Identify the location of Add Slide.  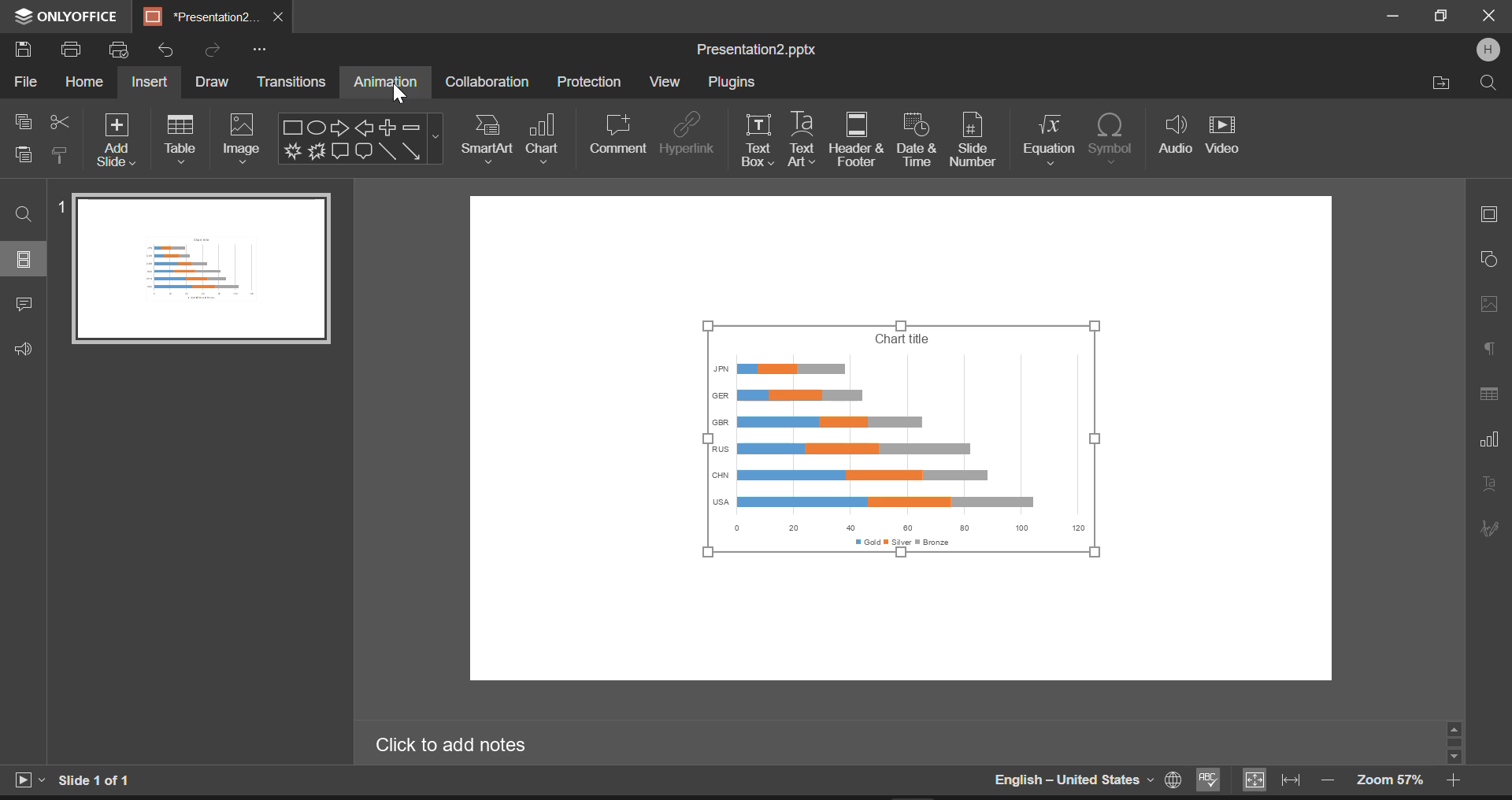
(117, 139).